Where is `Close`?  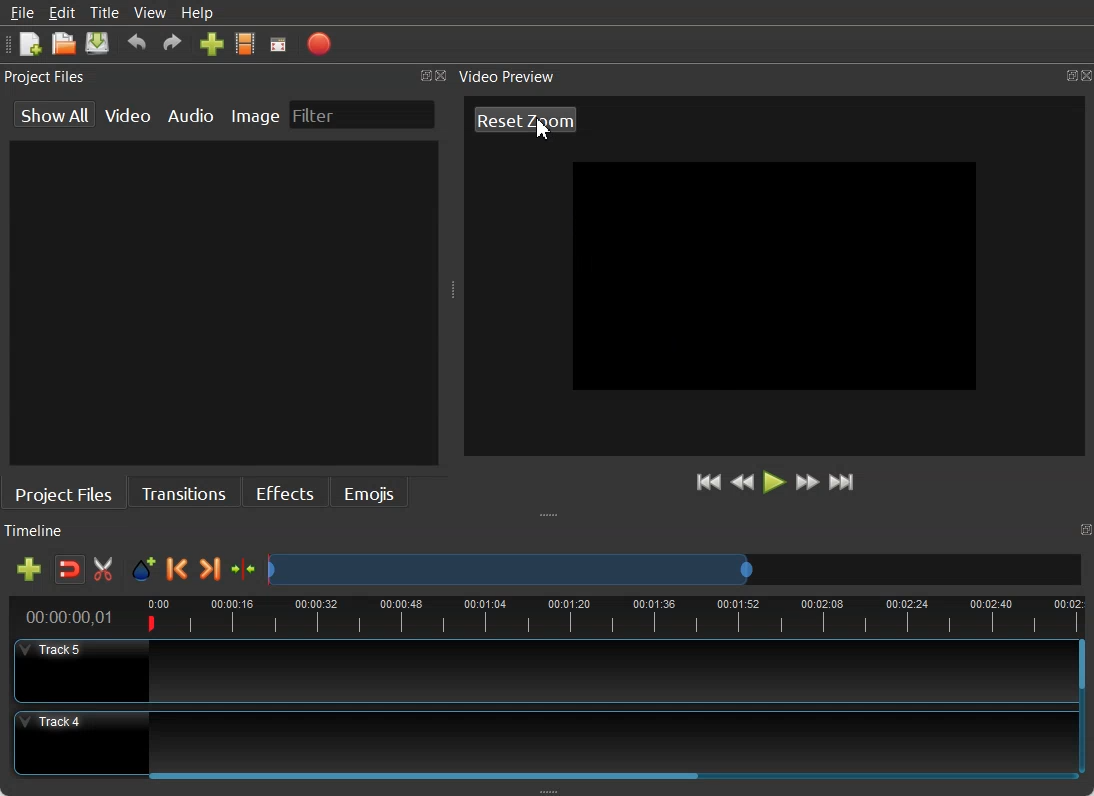 Close is located at coordinates (441, 75).